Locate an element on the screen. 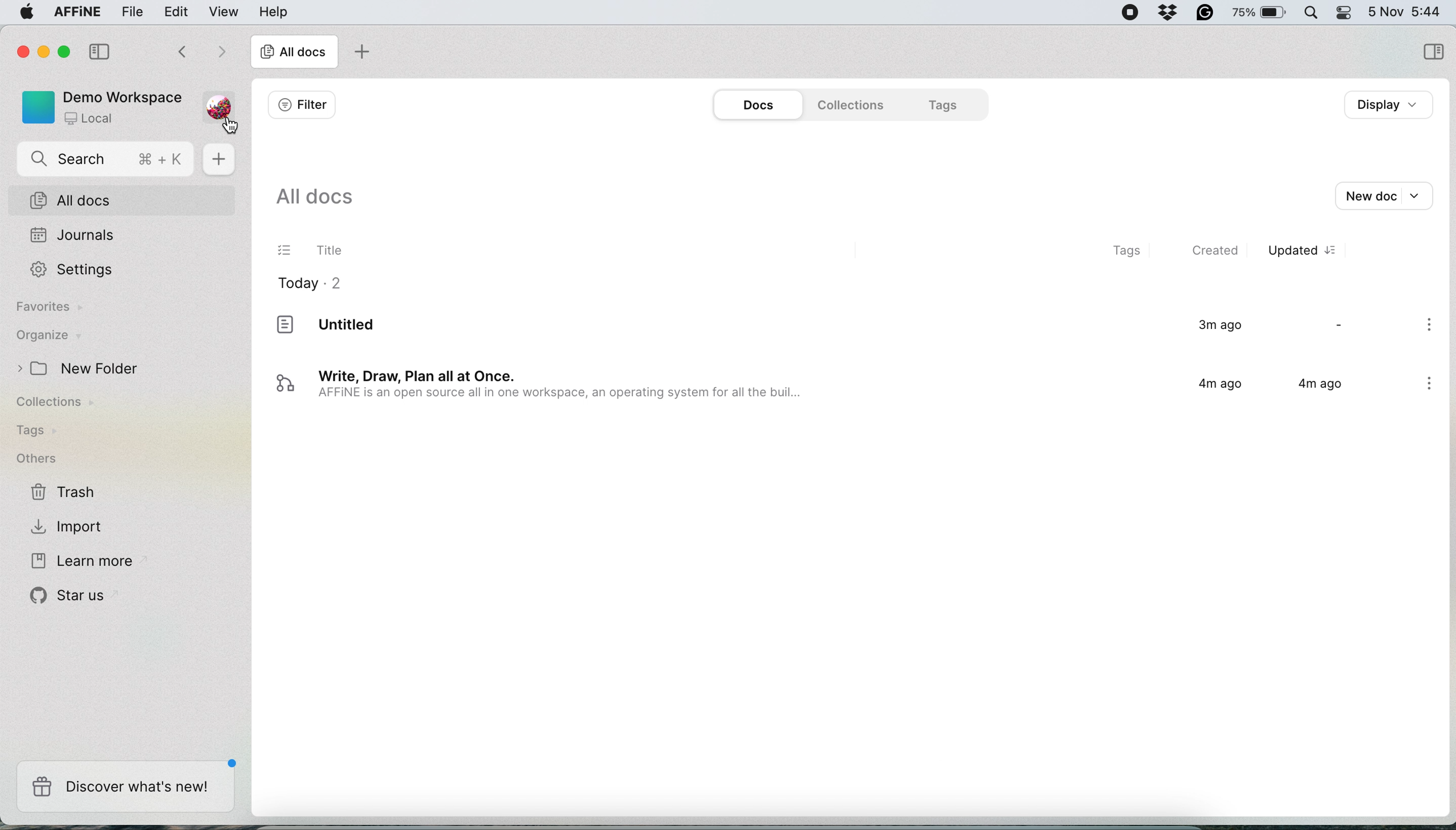 Image resolution: width=1456 pixels, height=830 pixels. docs is located at coordinates (758, 105).